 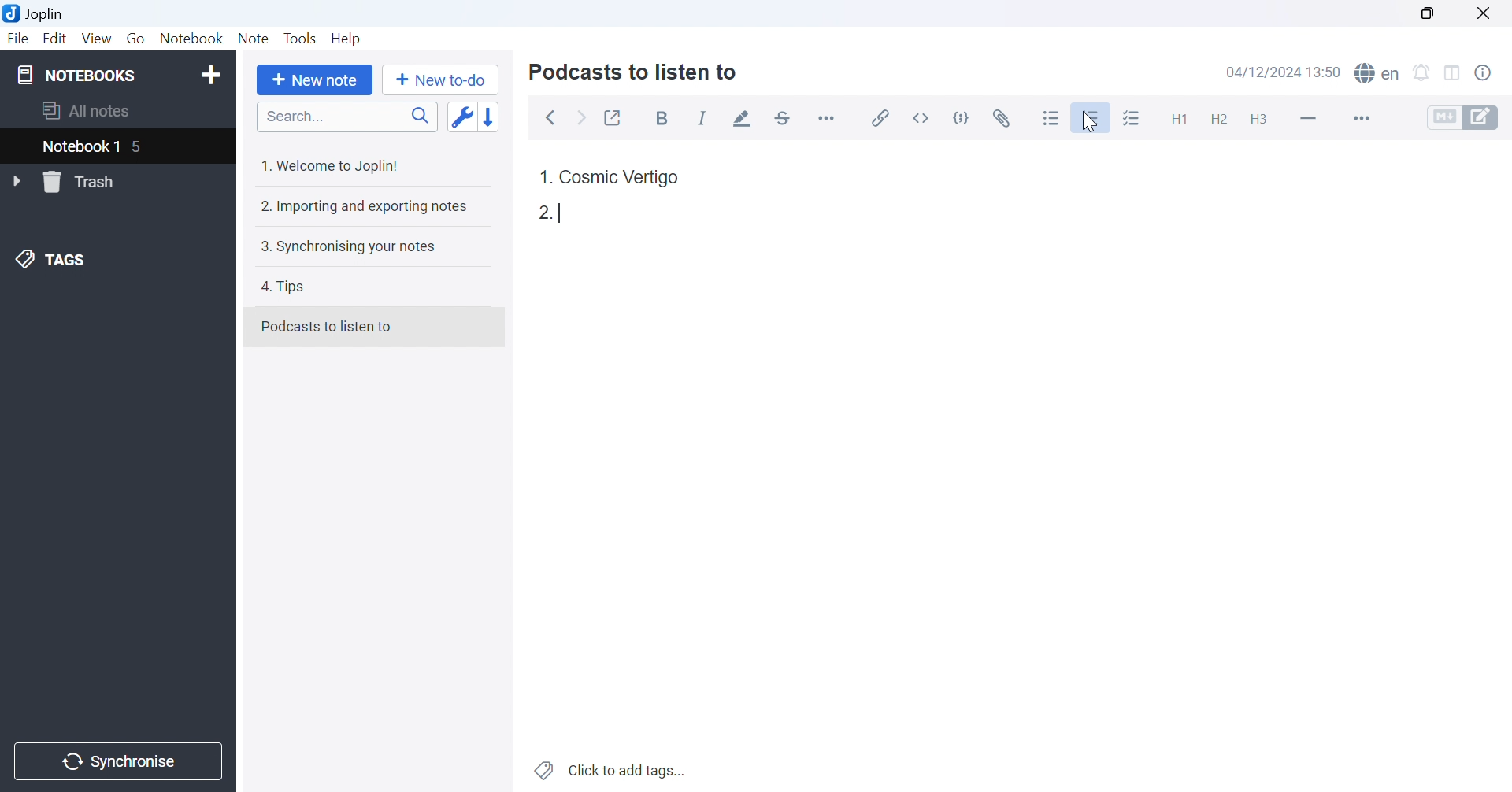 I want to click on 2., so click(x=542, y=213).